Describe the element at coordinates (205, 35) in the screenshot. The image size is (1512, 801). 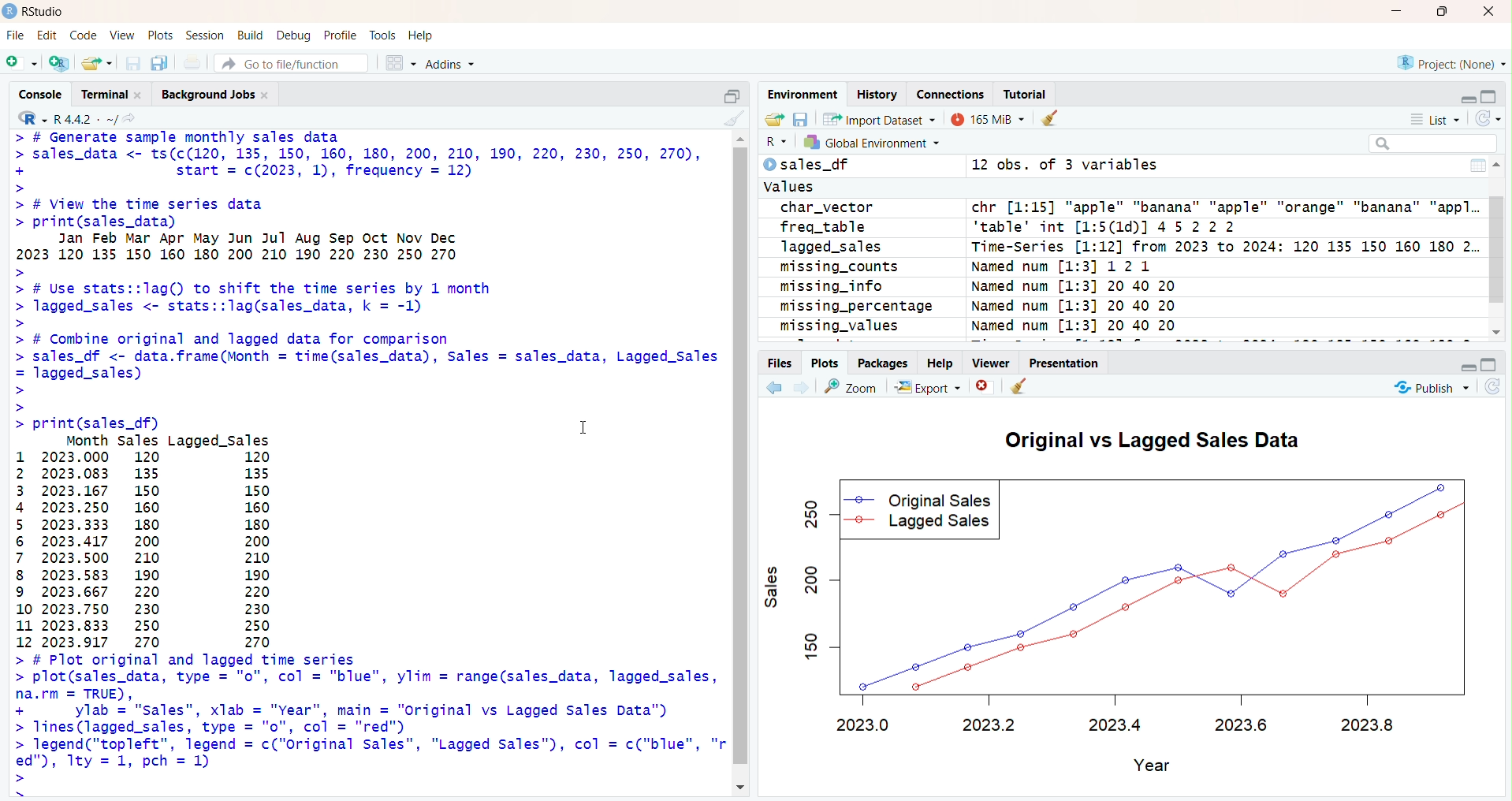
I see `session` at that location.